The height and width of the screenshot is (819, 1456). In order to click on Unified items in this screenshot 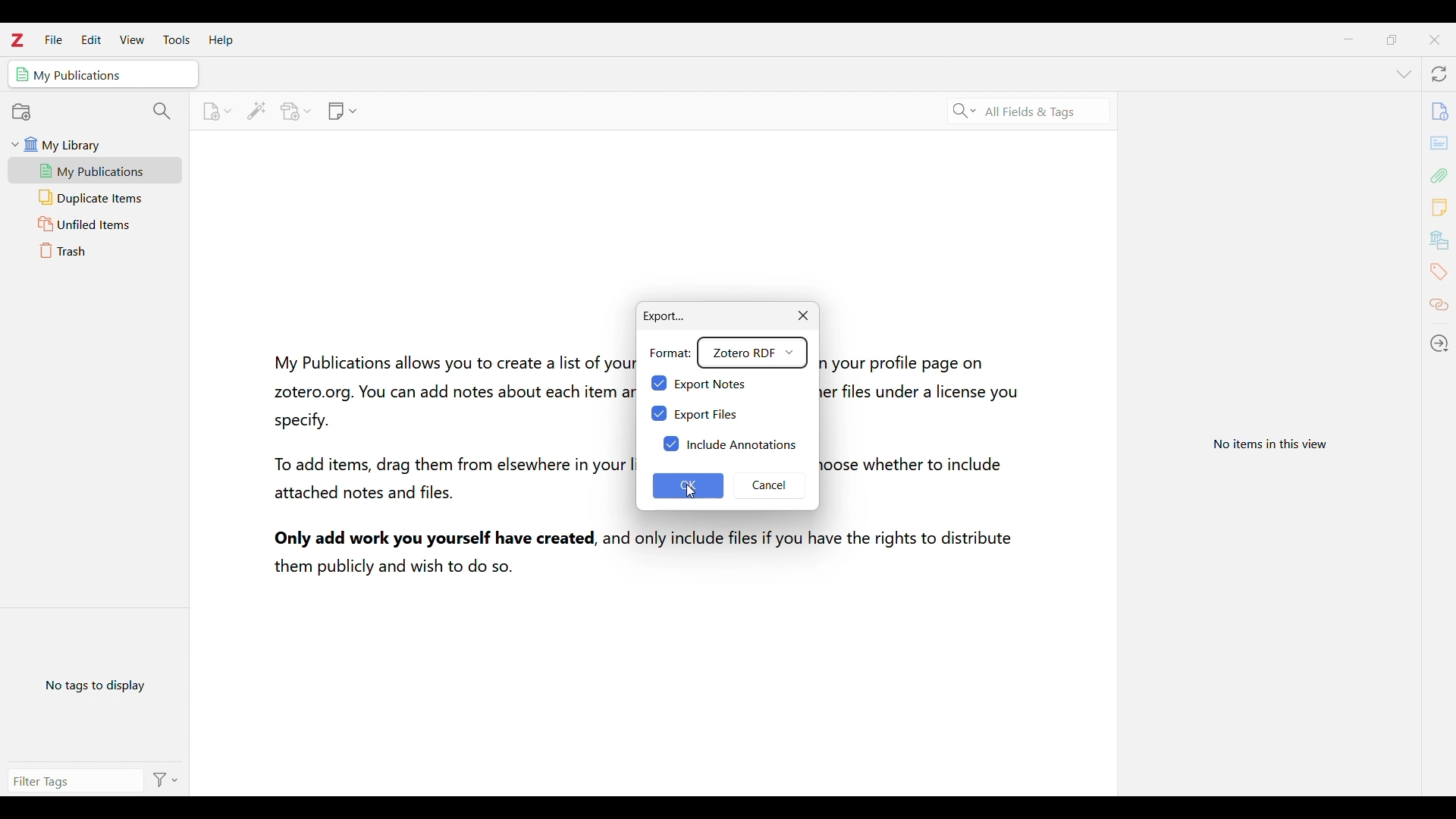, I will do `click(96, 224)`.